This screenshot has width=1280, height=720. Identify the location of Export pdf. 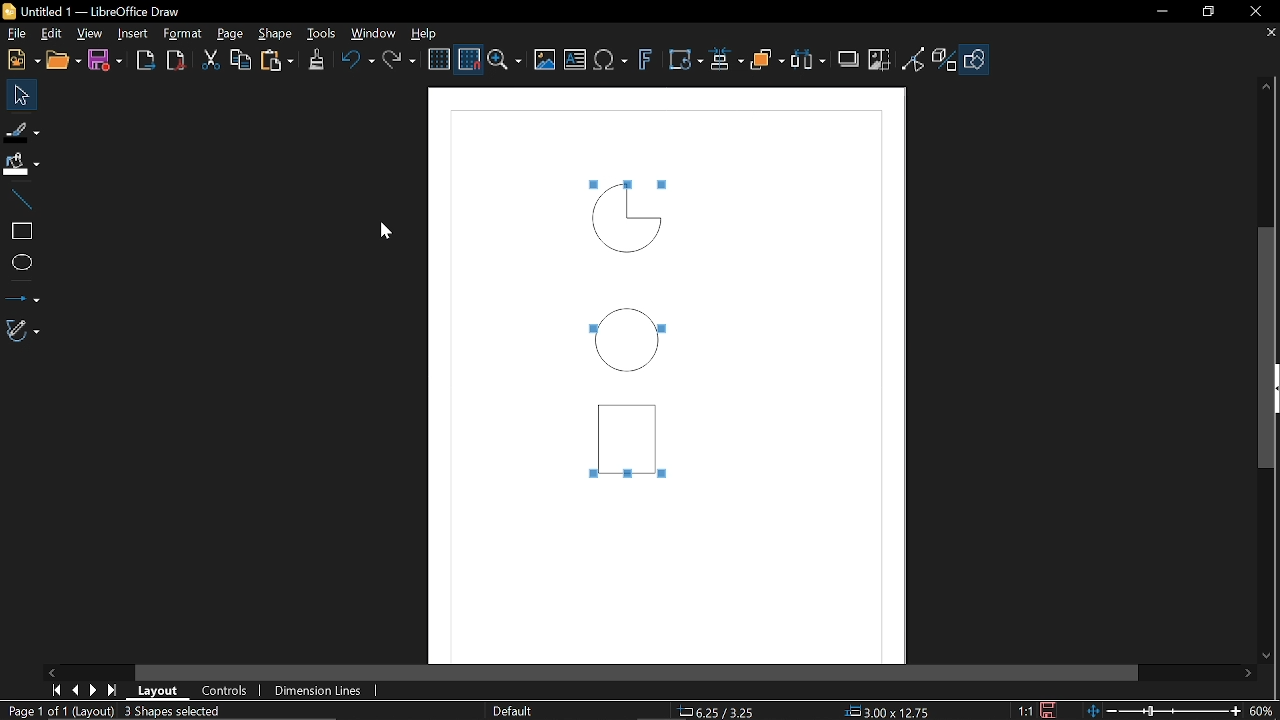
(174, 61).